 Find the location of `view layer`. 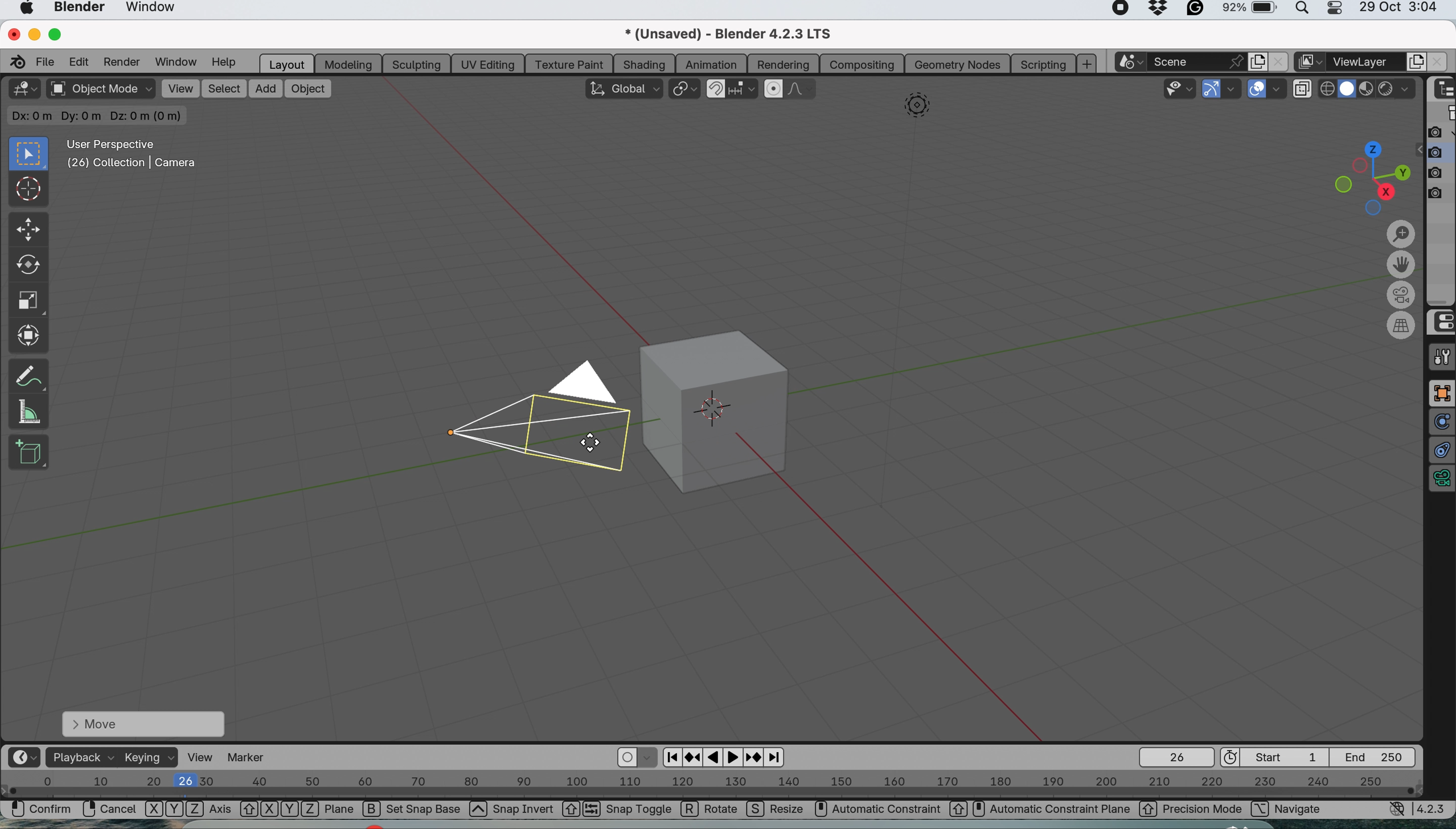

view layer is located at coordinates (1367, 62).